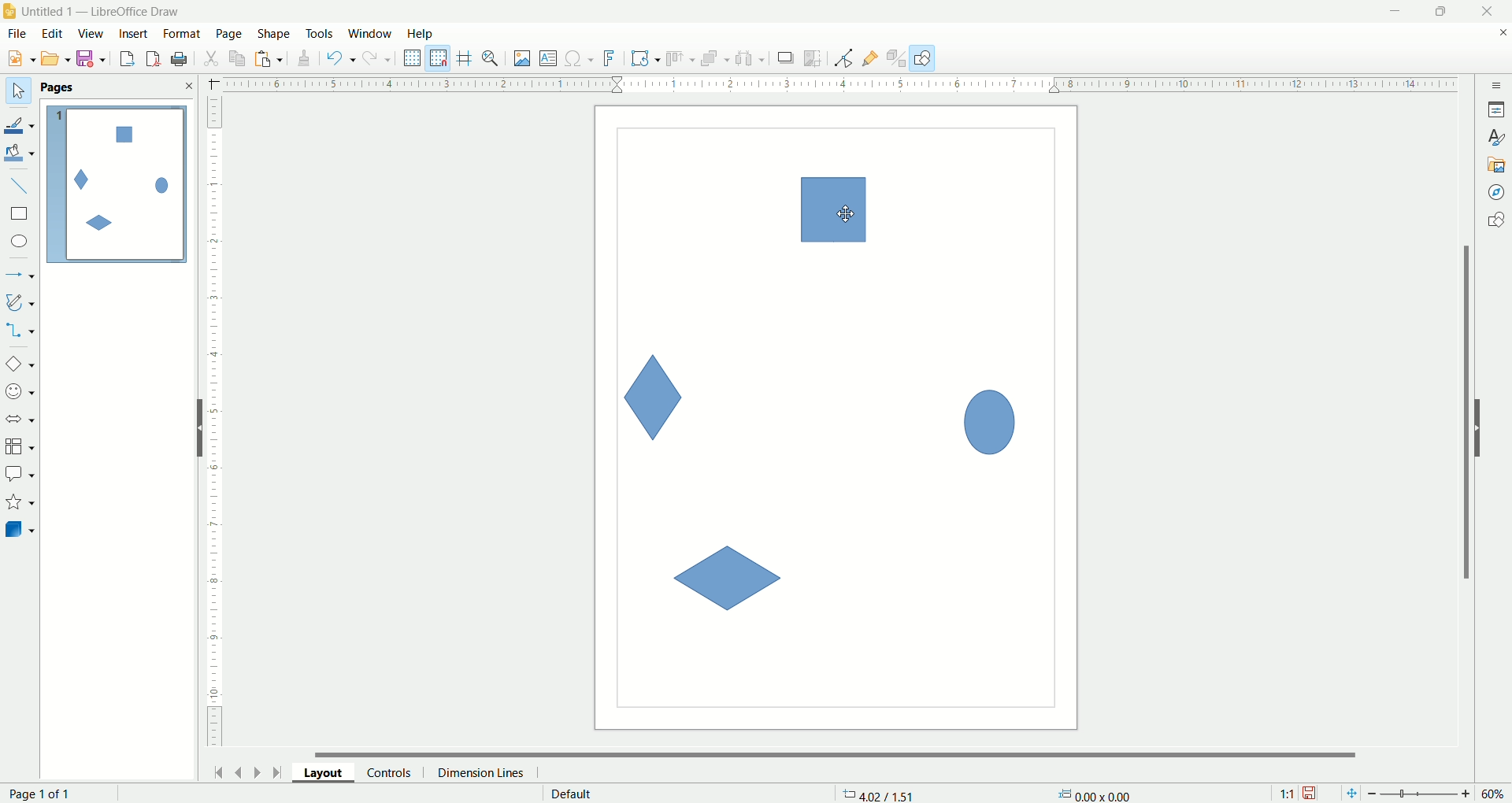 The image size is (1512, 803). What do you see at coordinates (1495, 794) in the screenshot?
I see `zoom percent` at bounding box center [1495, 794].